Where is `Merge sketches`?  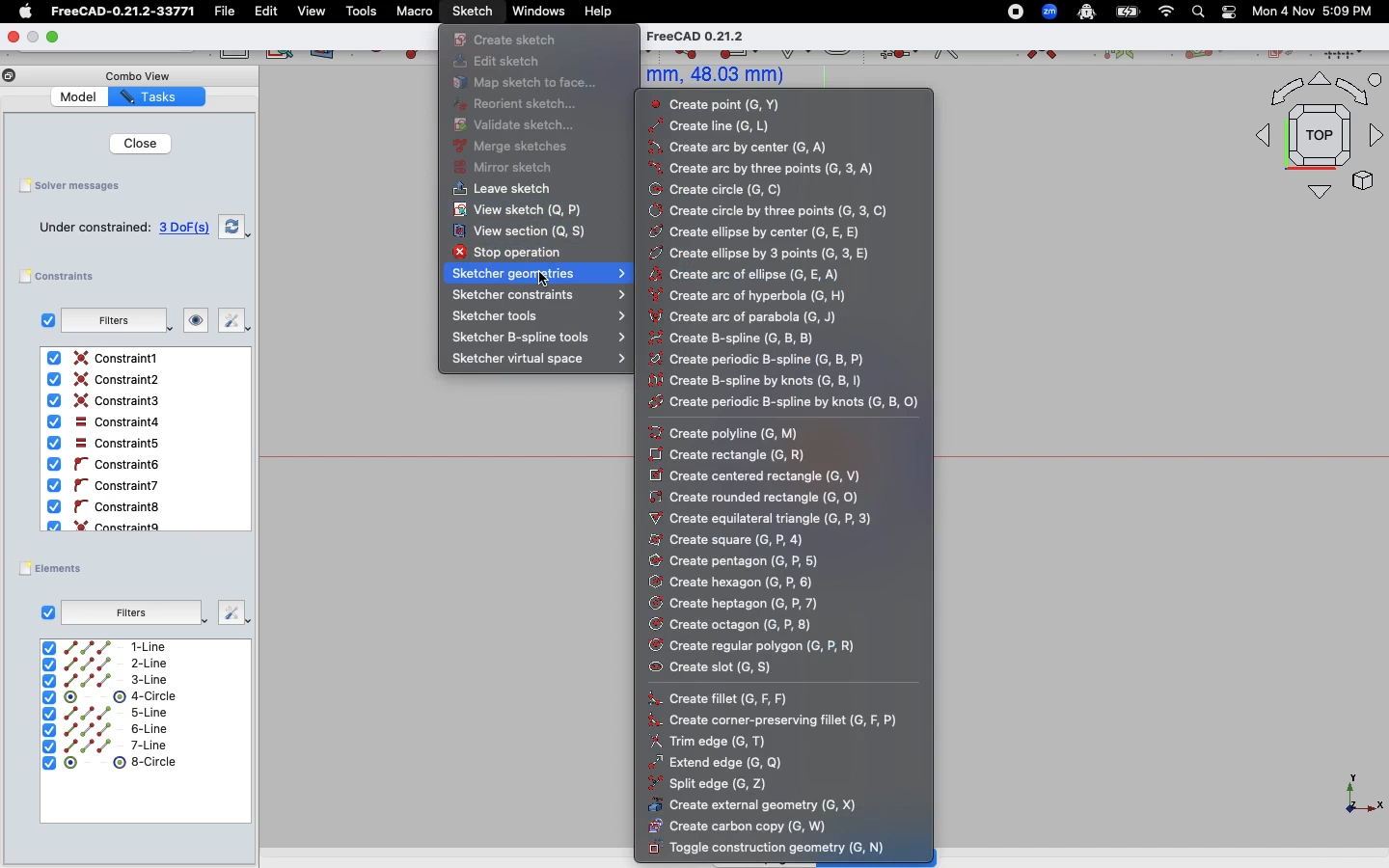
Merge sketches is located at coordinates (512, 147).